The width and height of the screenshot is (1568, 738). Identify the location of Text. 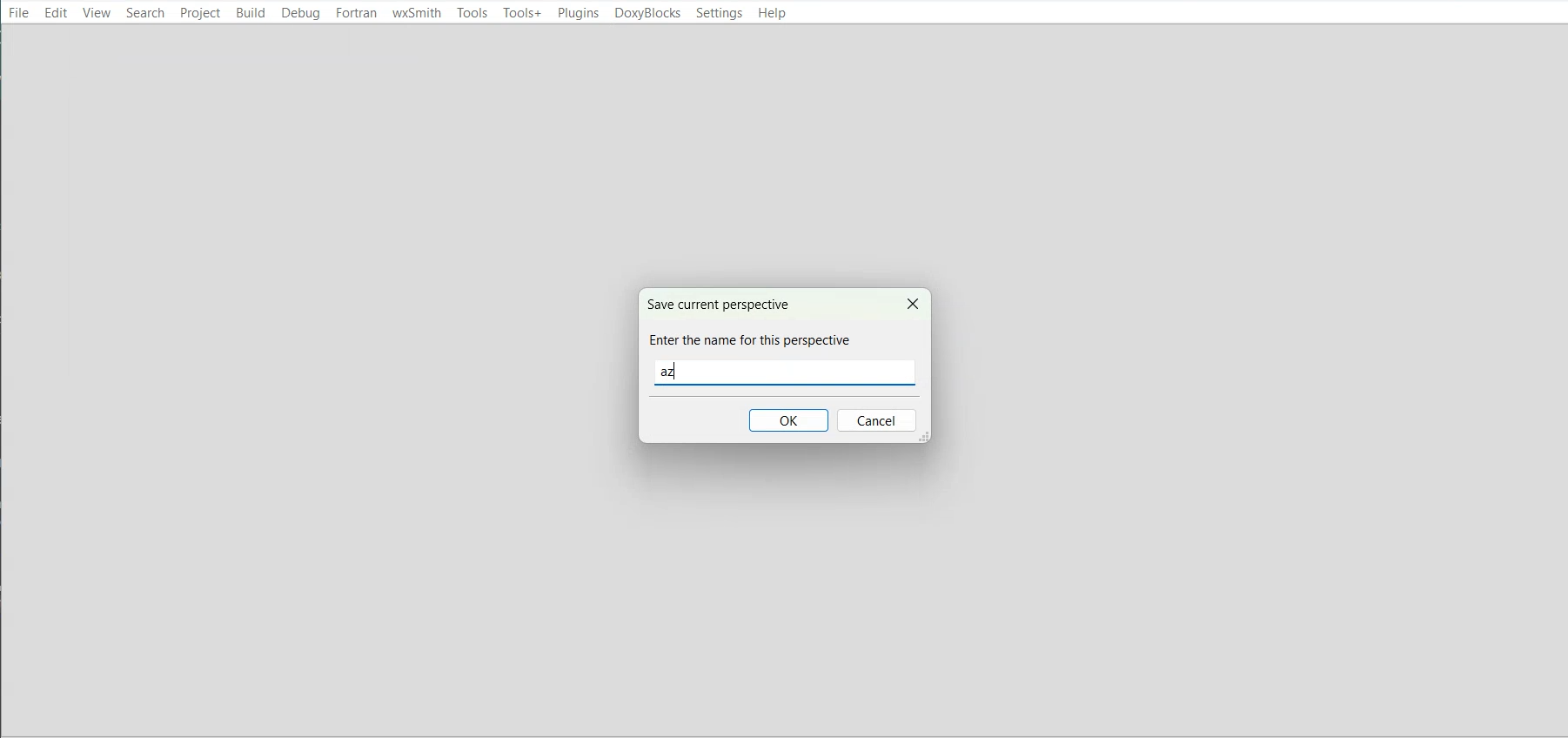
(754, 324).